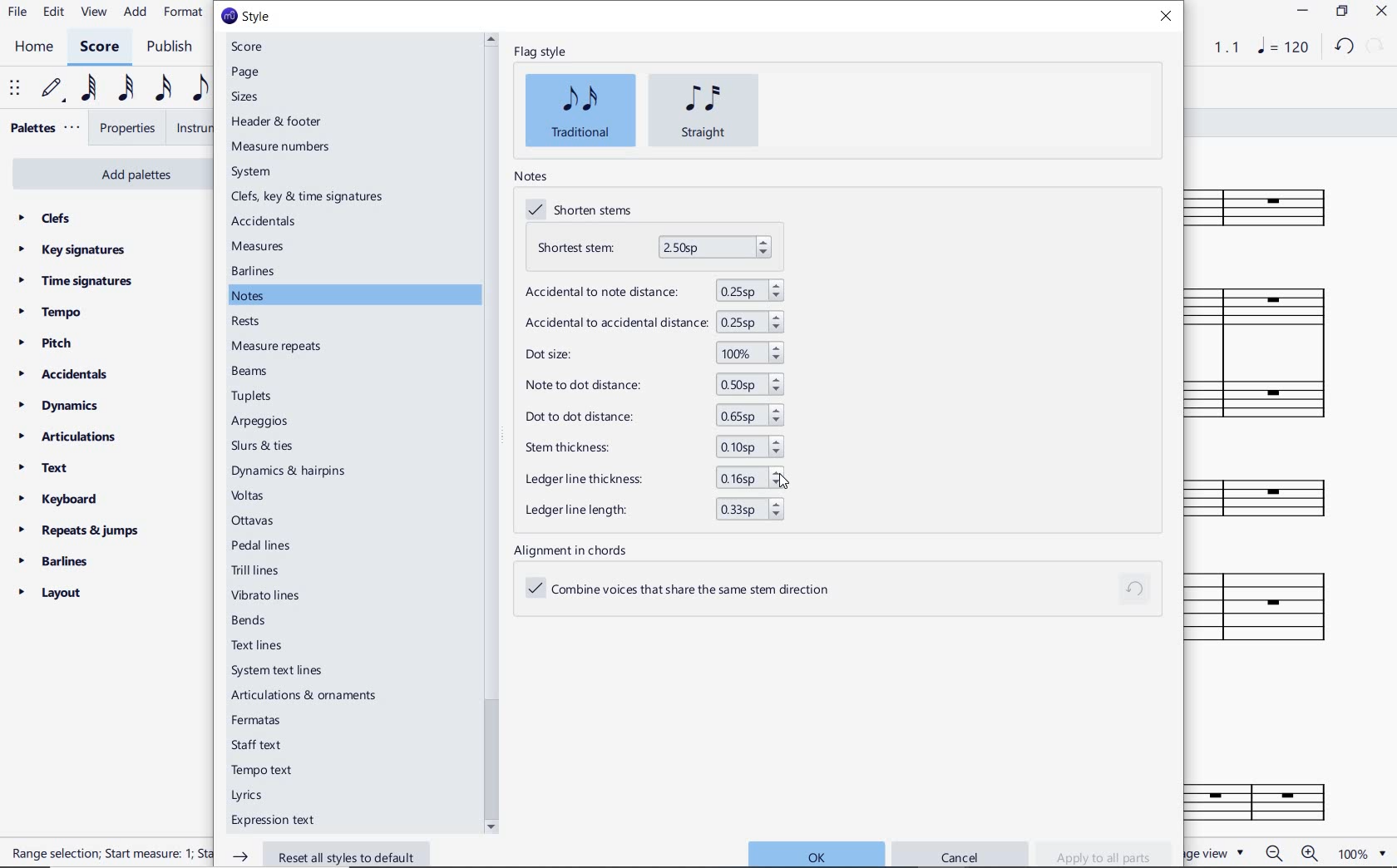 Image resolution: width=1397 pixels, height=868 pixels. Describe the element at coordinates (650, 384) in the screenshot. I see `note to dot distance` at that location.